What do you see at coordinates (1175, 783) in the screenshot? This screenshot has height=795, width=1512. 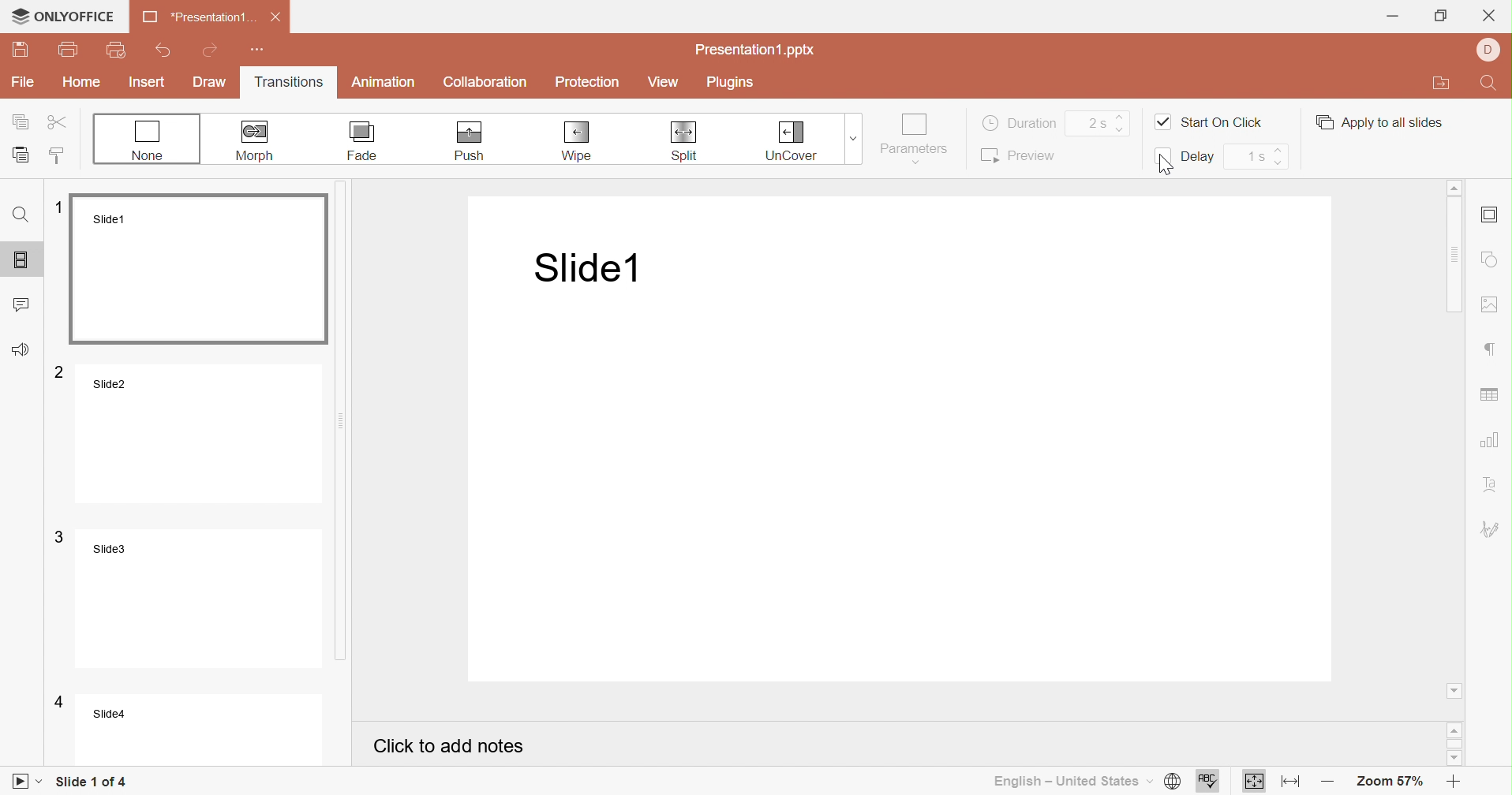 I see `Set document language` at bounding box center [1175, 783].